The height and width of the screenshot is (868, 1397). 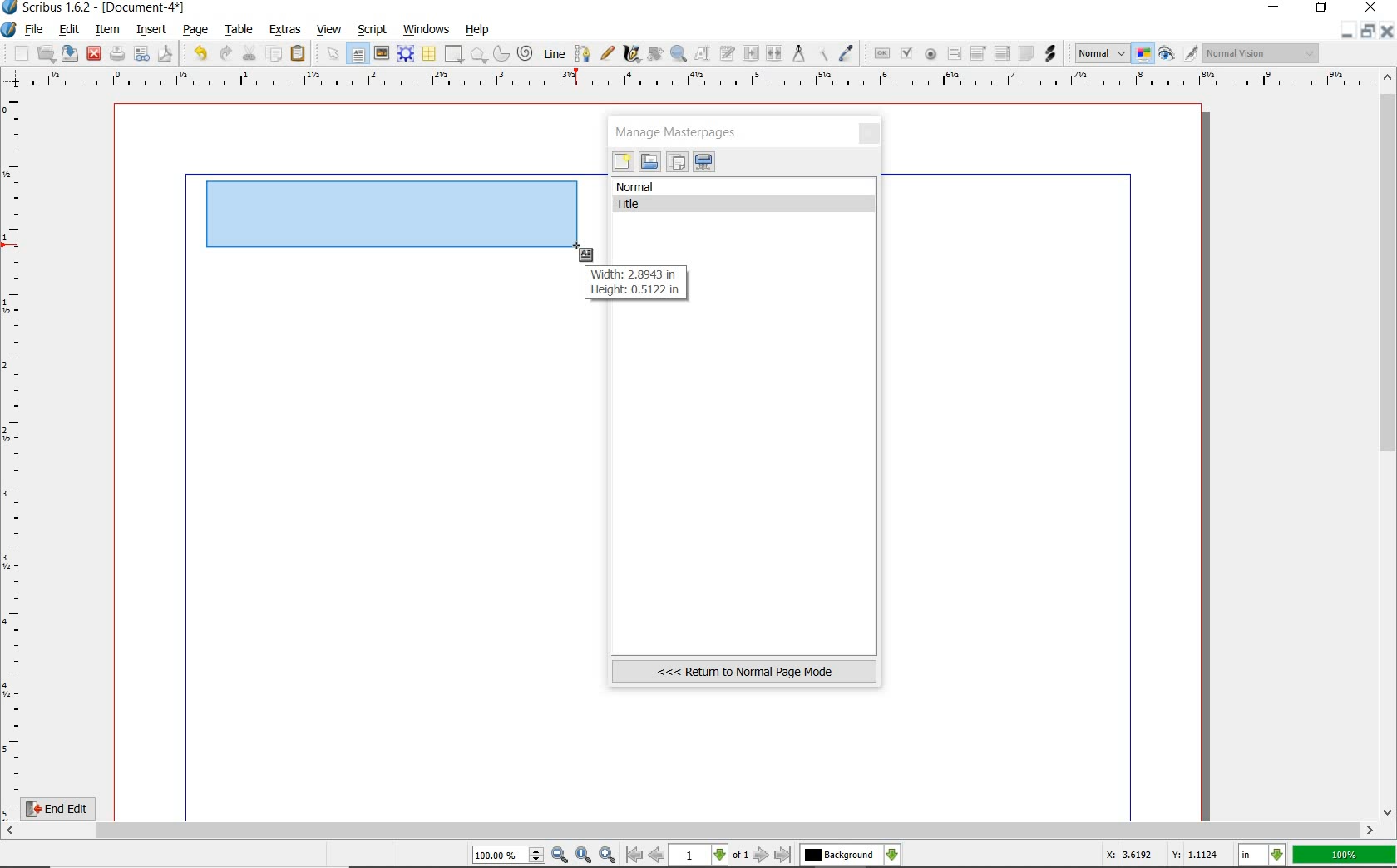 What do you see at coordinates (426, 28) in the screenshot?
I see `windows` at bounding box center [426, 28].